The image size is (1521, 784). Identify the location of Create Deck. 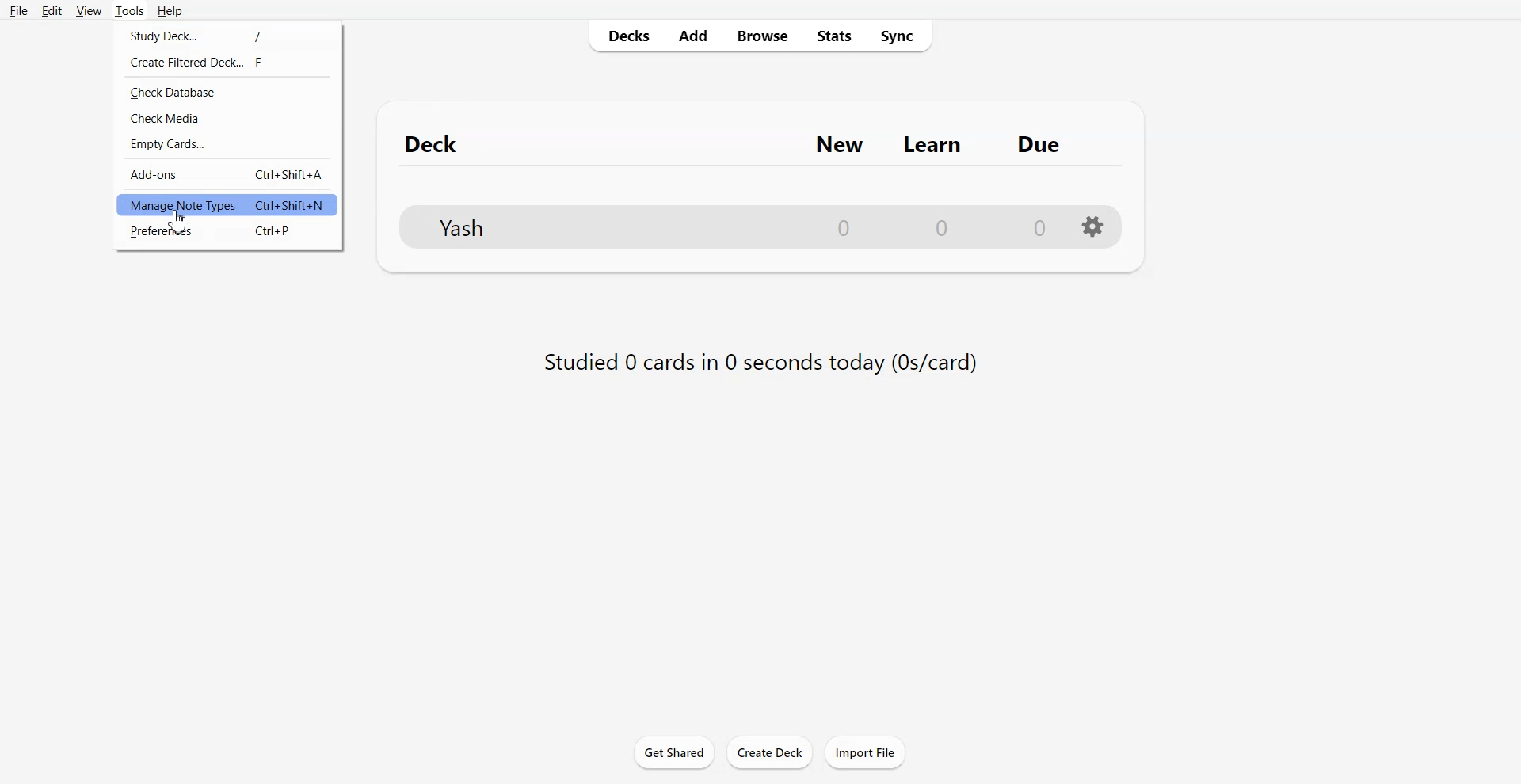
(769, 752).